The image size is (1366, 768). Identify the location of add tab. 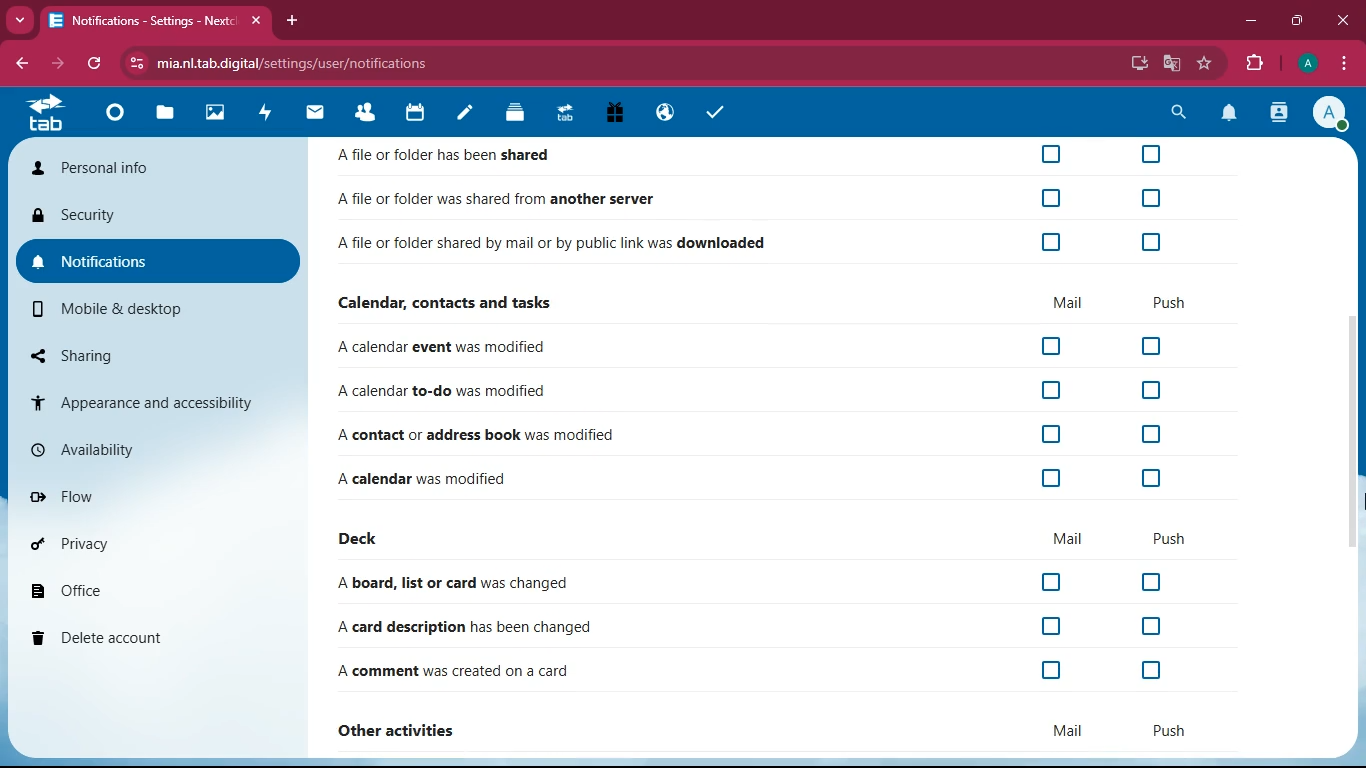
(293, 20).